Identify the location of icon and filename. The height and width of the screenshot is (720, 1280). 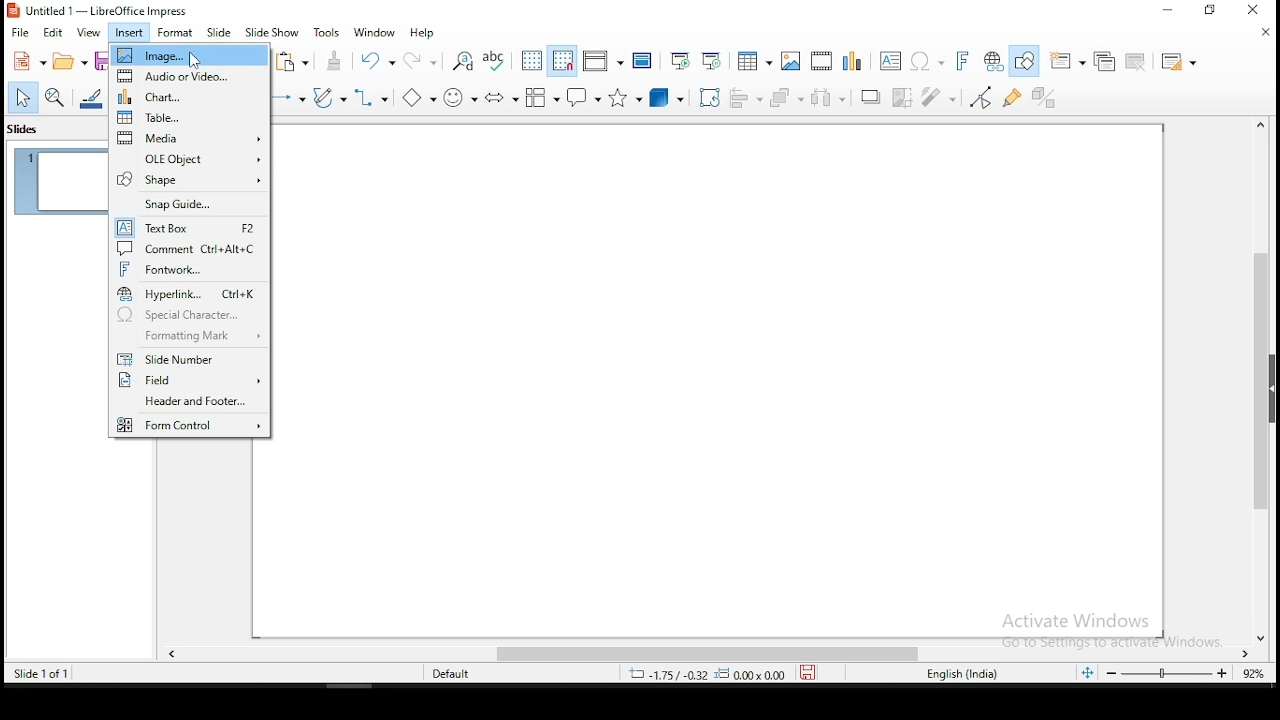
(119, 9).